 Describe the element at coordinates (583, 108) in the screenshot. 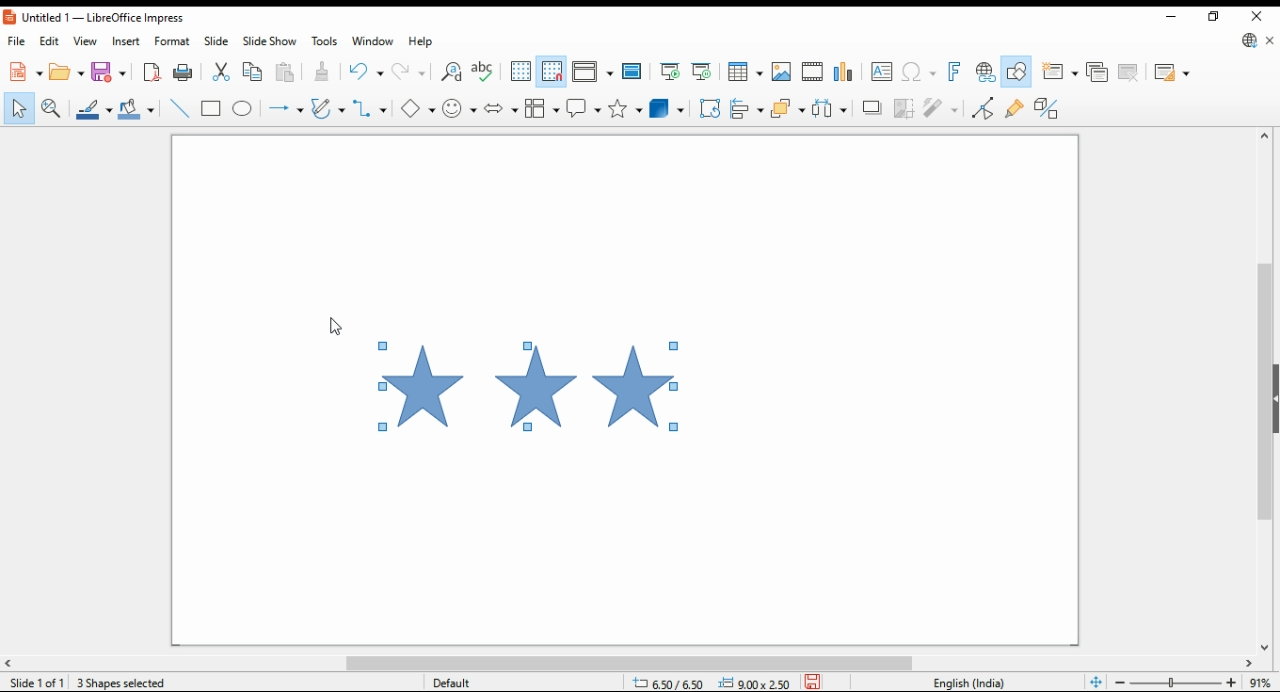

I see `callout shapes` at that location.